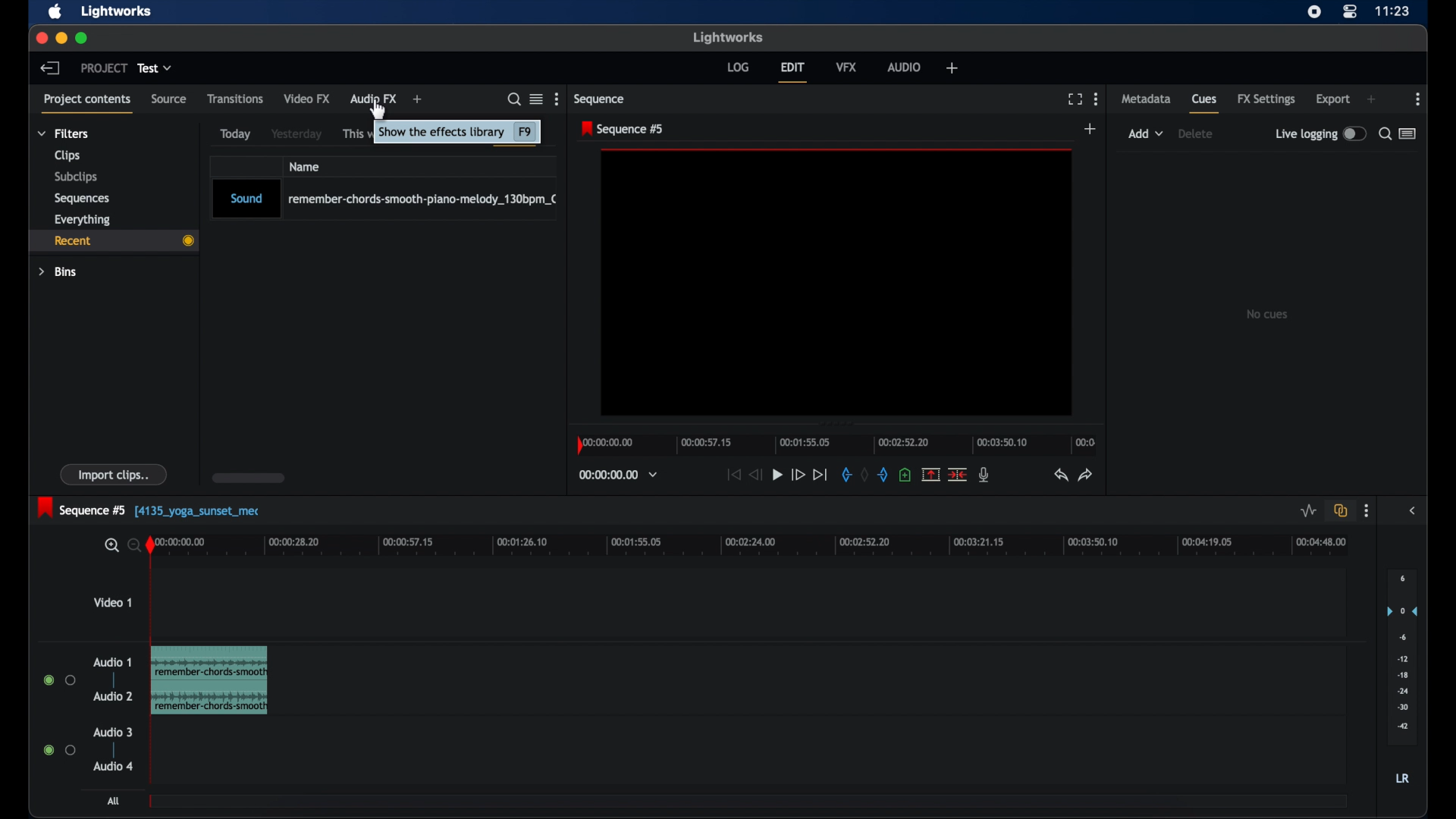 The height and width of the screenshot is (819, 1456). I want to click on cut, so click(957, 475).